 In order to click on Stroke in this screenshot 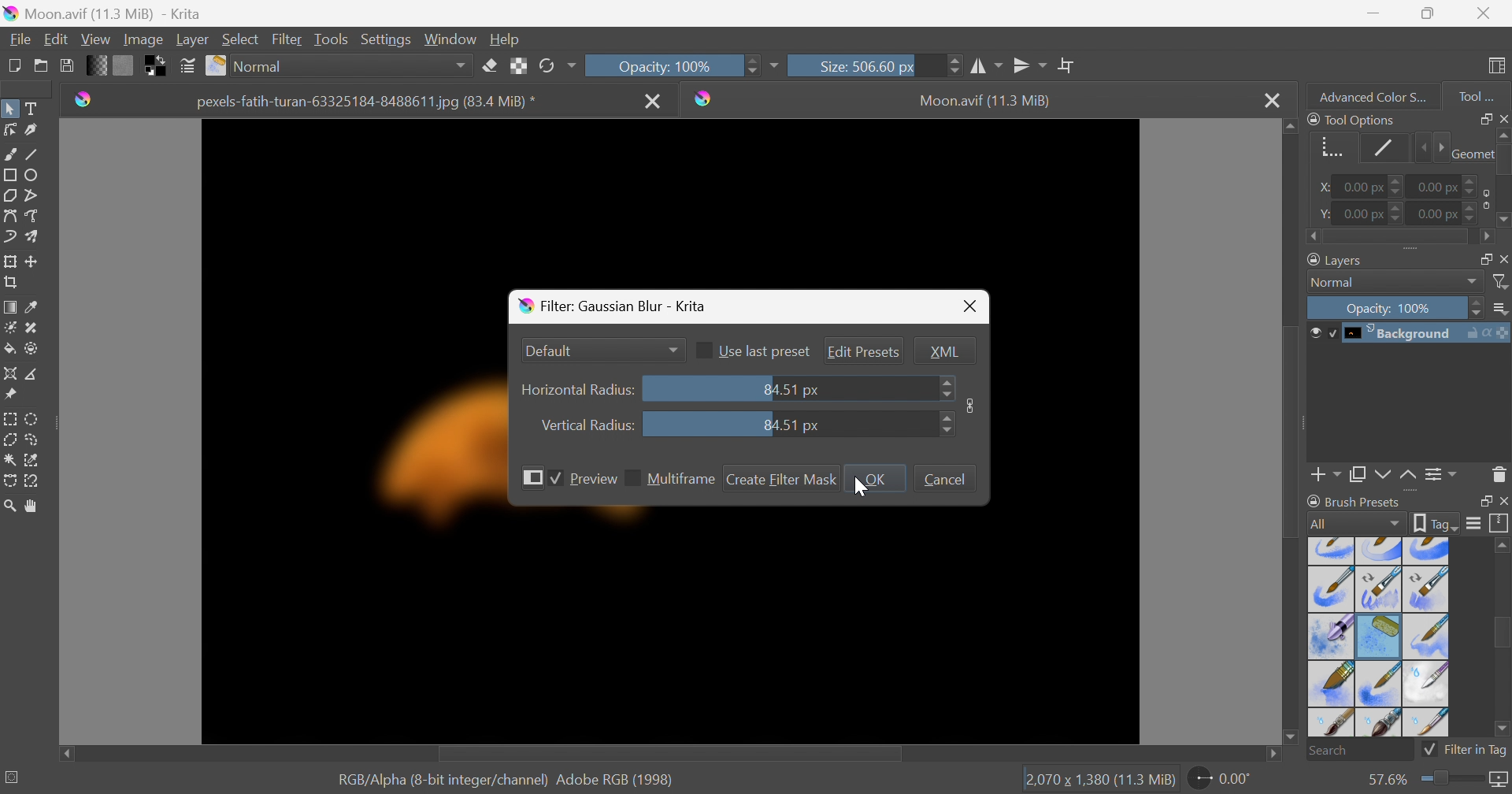, I will do `click(1380, 149)`.